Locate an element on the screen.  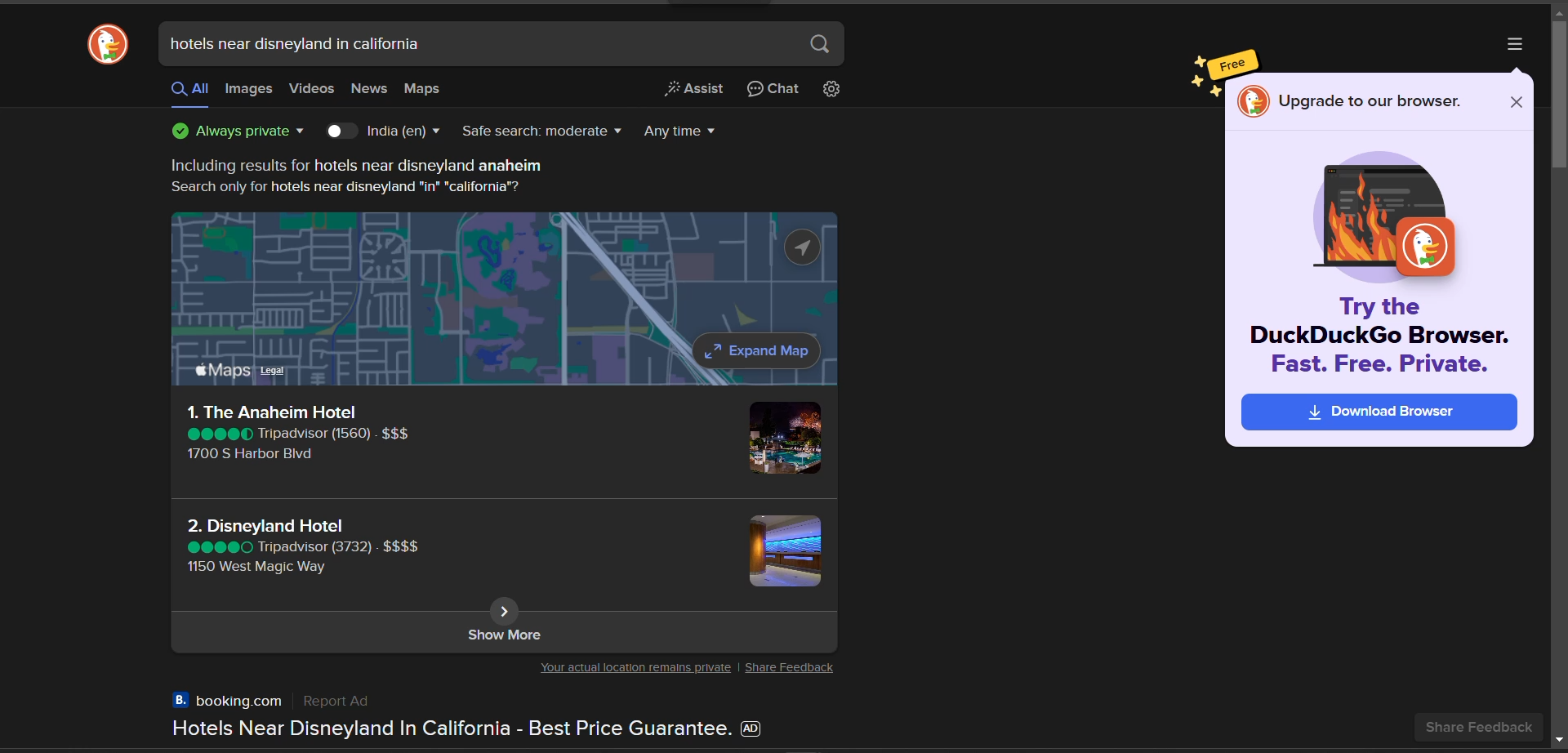
image is located at coordinates (1389, 220).